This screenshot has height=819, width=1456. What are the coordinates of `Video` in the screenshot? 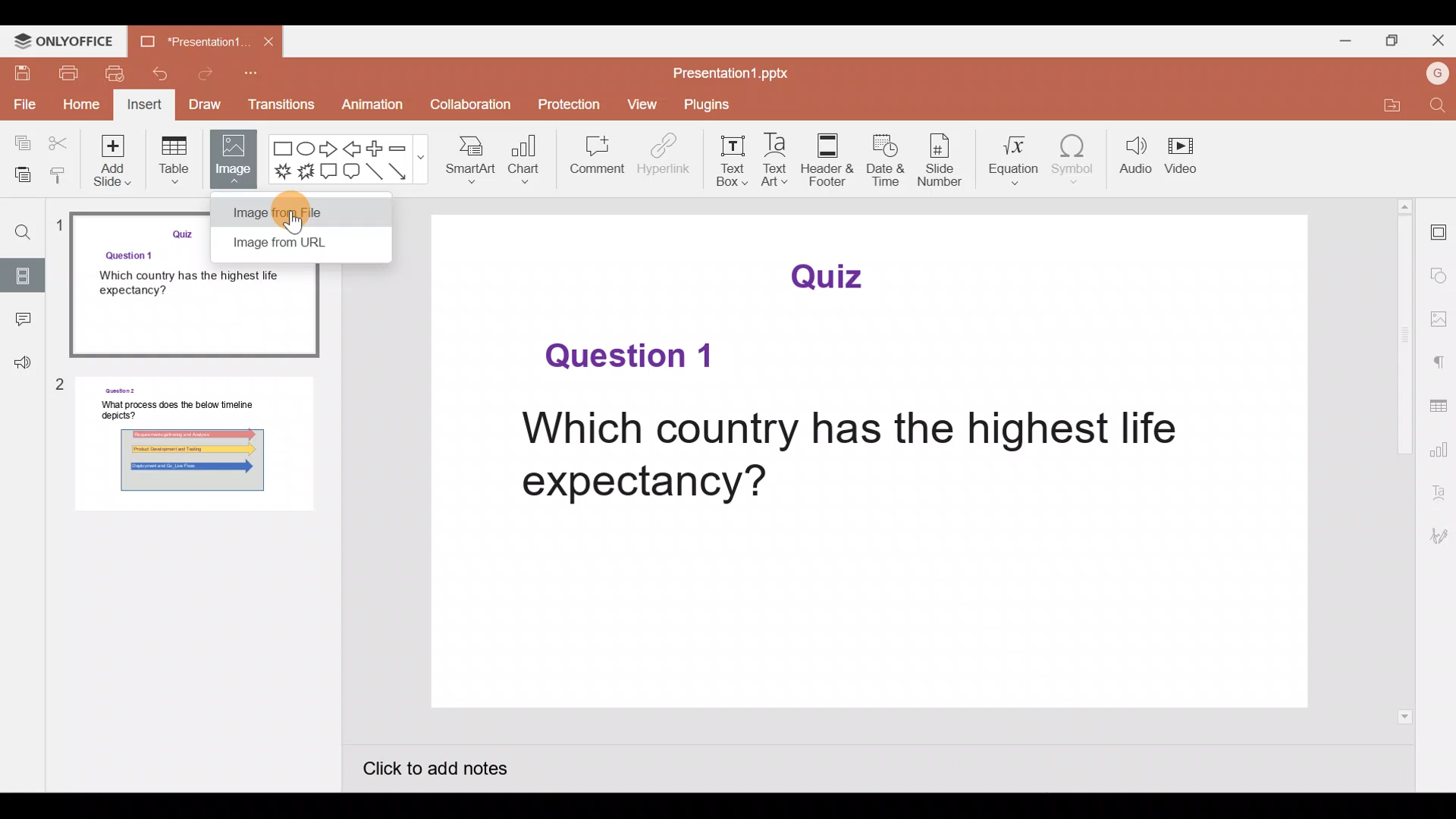 It's located at (1187, 152).